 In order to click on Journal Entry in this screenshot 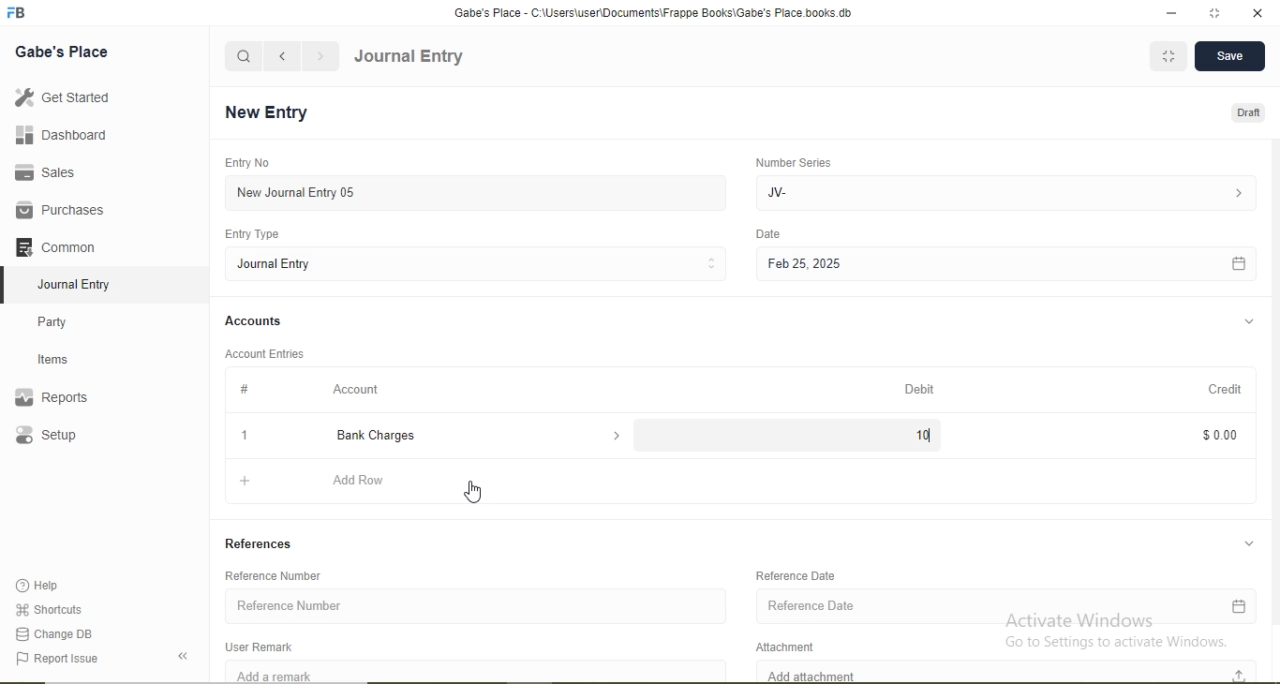, I will do `click(478, 263)`.